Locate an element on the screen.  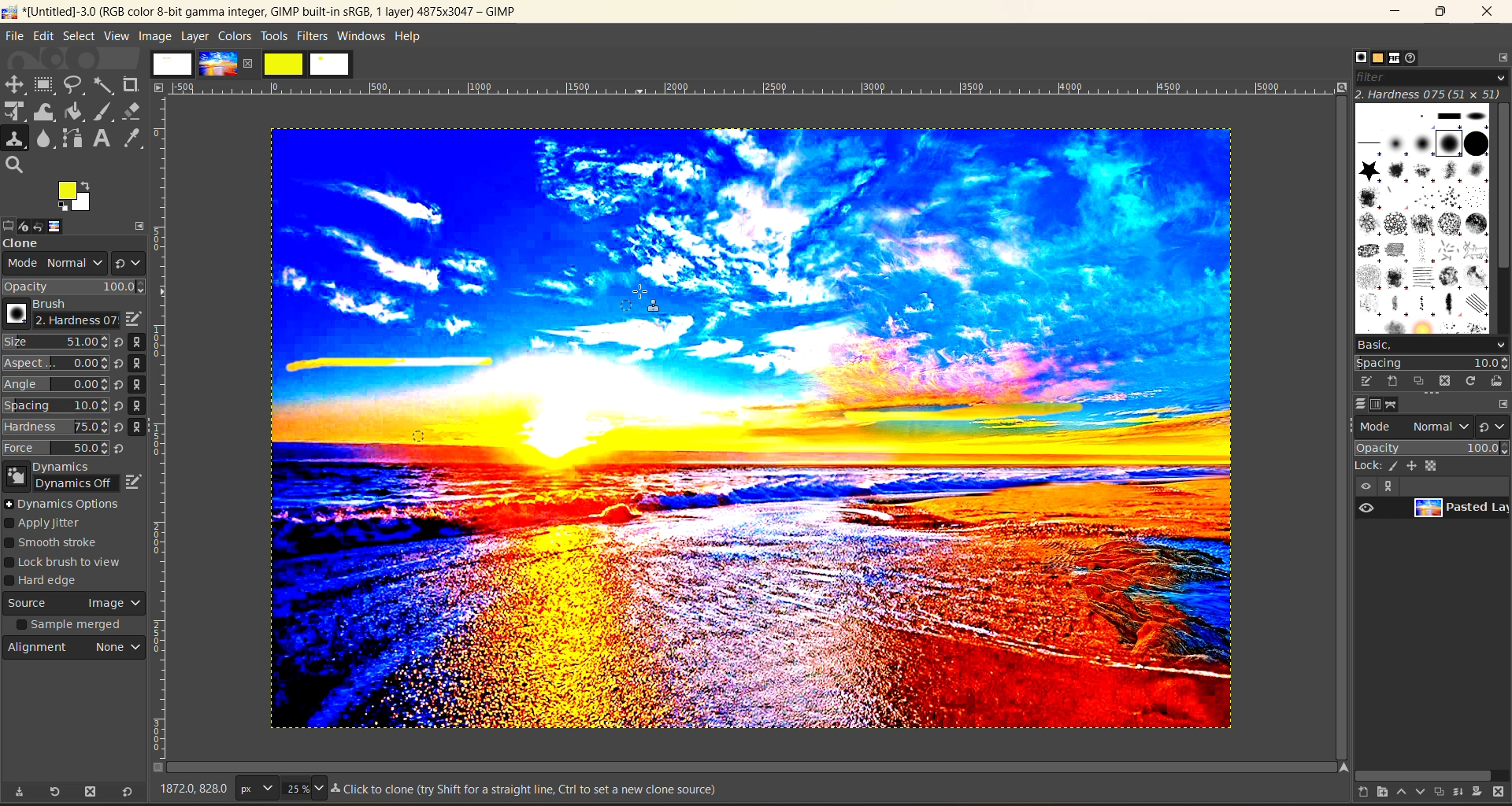
ink tool is located at coordinates (106, 112).